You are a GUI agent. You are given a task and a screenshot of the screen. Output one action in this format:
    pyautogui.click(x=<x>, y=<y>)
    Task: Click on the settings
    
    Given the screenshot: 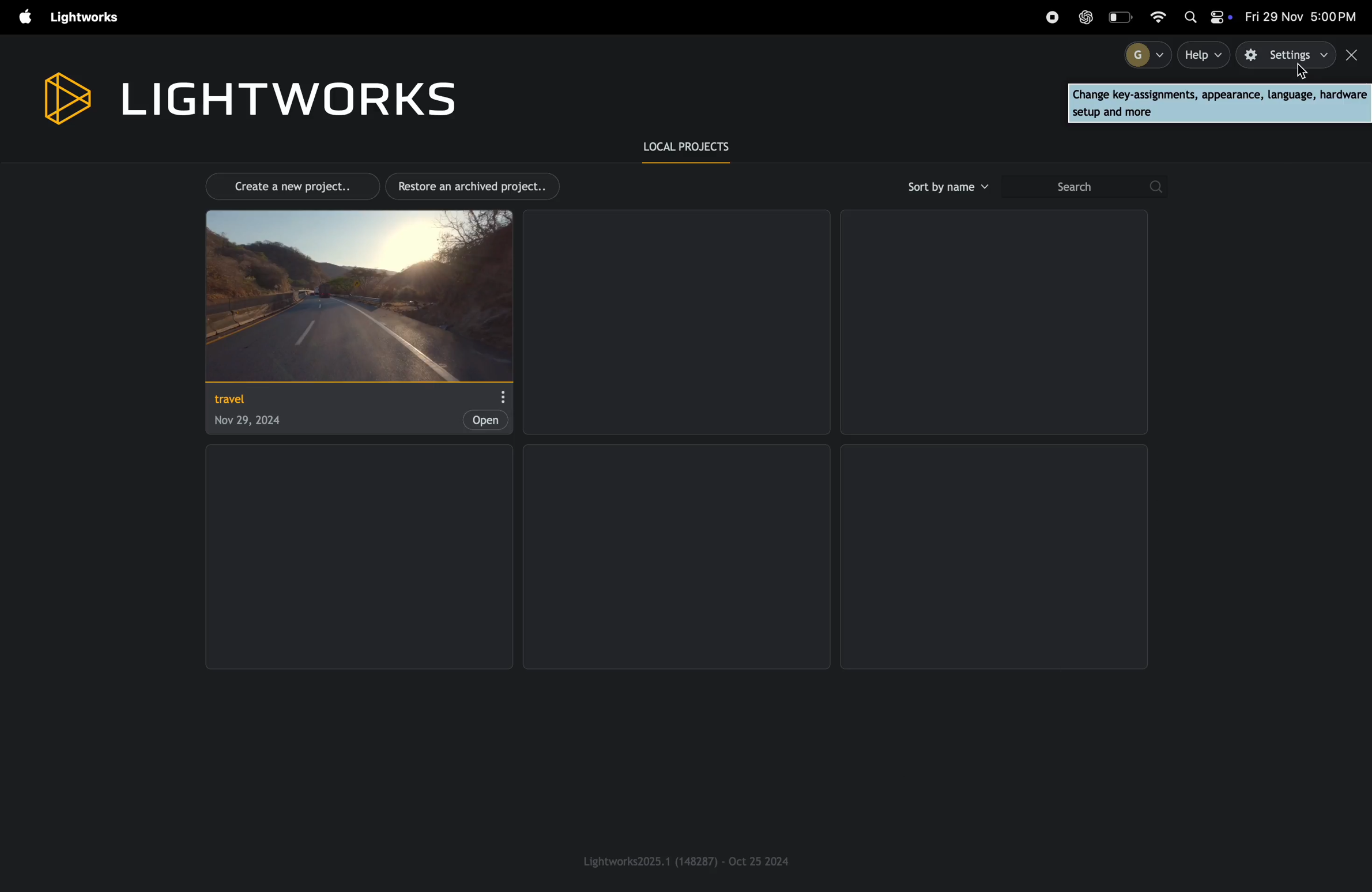 What is the action you would take?
    pyautogui.click(x=1287, y=55)
    